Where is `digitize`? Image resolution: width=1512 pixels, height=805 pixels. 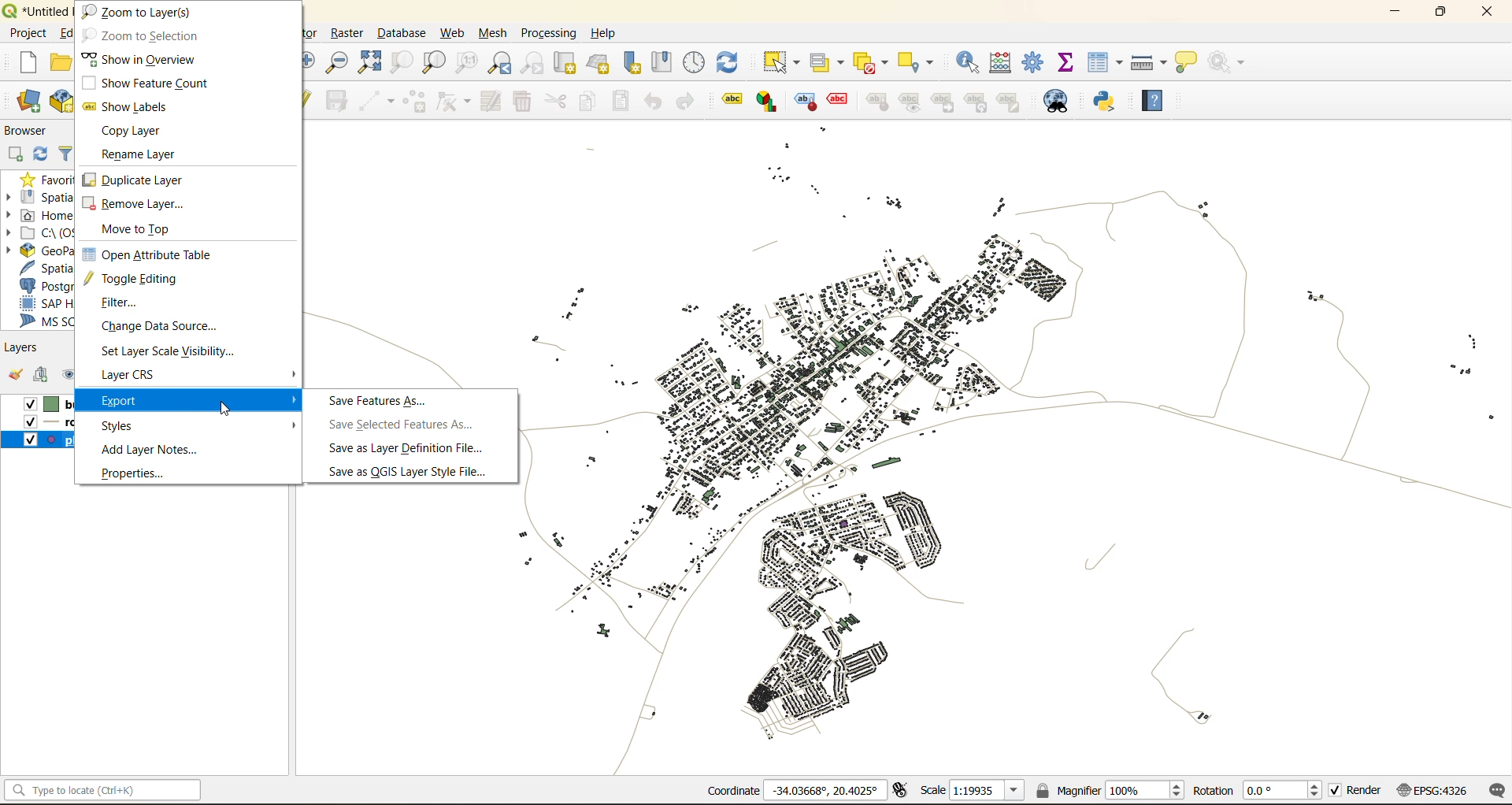
digitize is located at coordinates (374, 101).